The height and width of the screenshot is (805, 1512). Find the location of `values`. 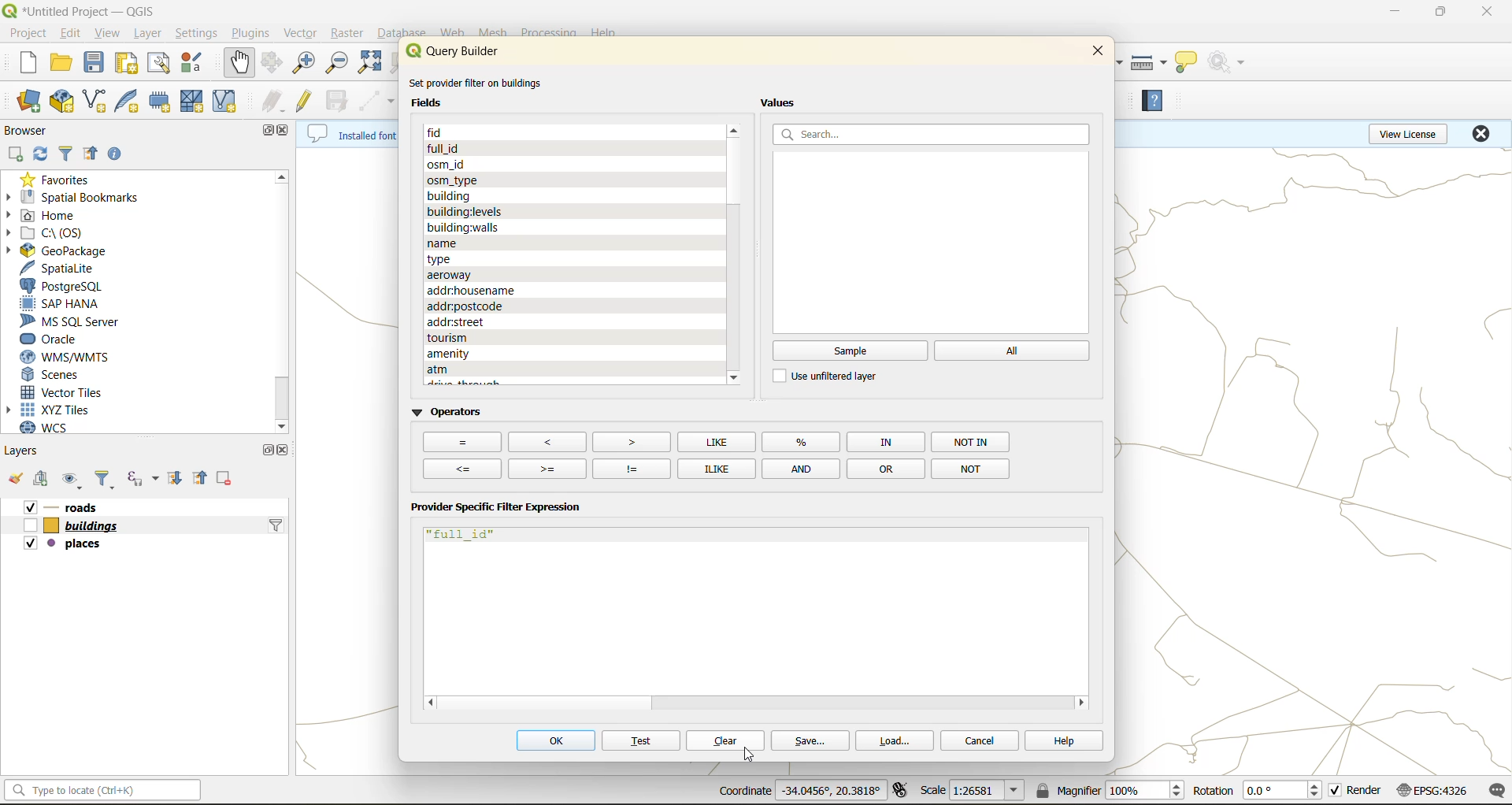

values is located at coordinates (783, 103).